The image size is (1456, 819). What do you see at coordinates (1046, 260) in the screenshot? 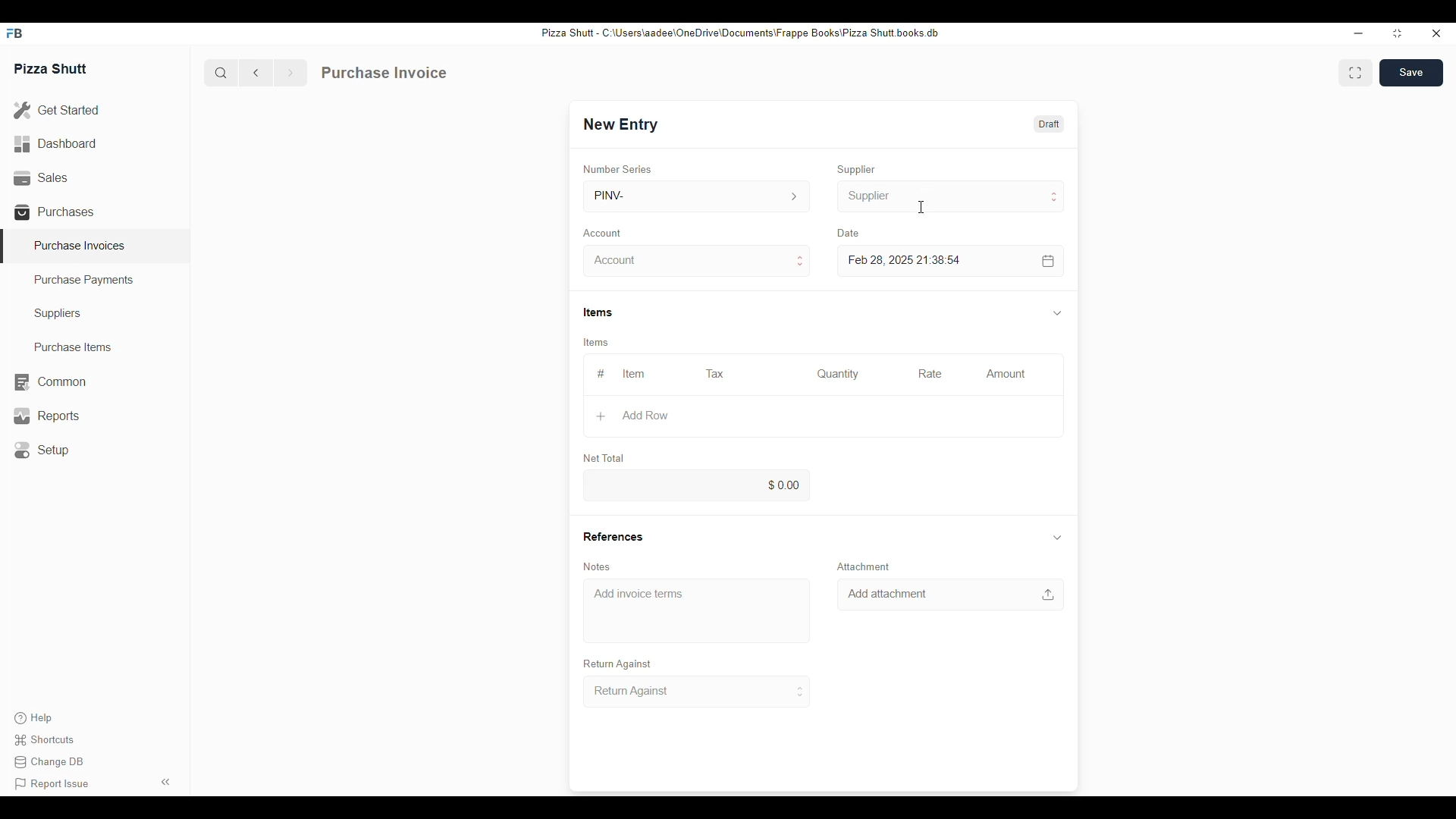
I see `calendar` at bounding box center [1046, 260].